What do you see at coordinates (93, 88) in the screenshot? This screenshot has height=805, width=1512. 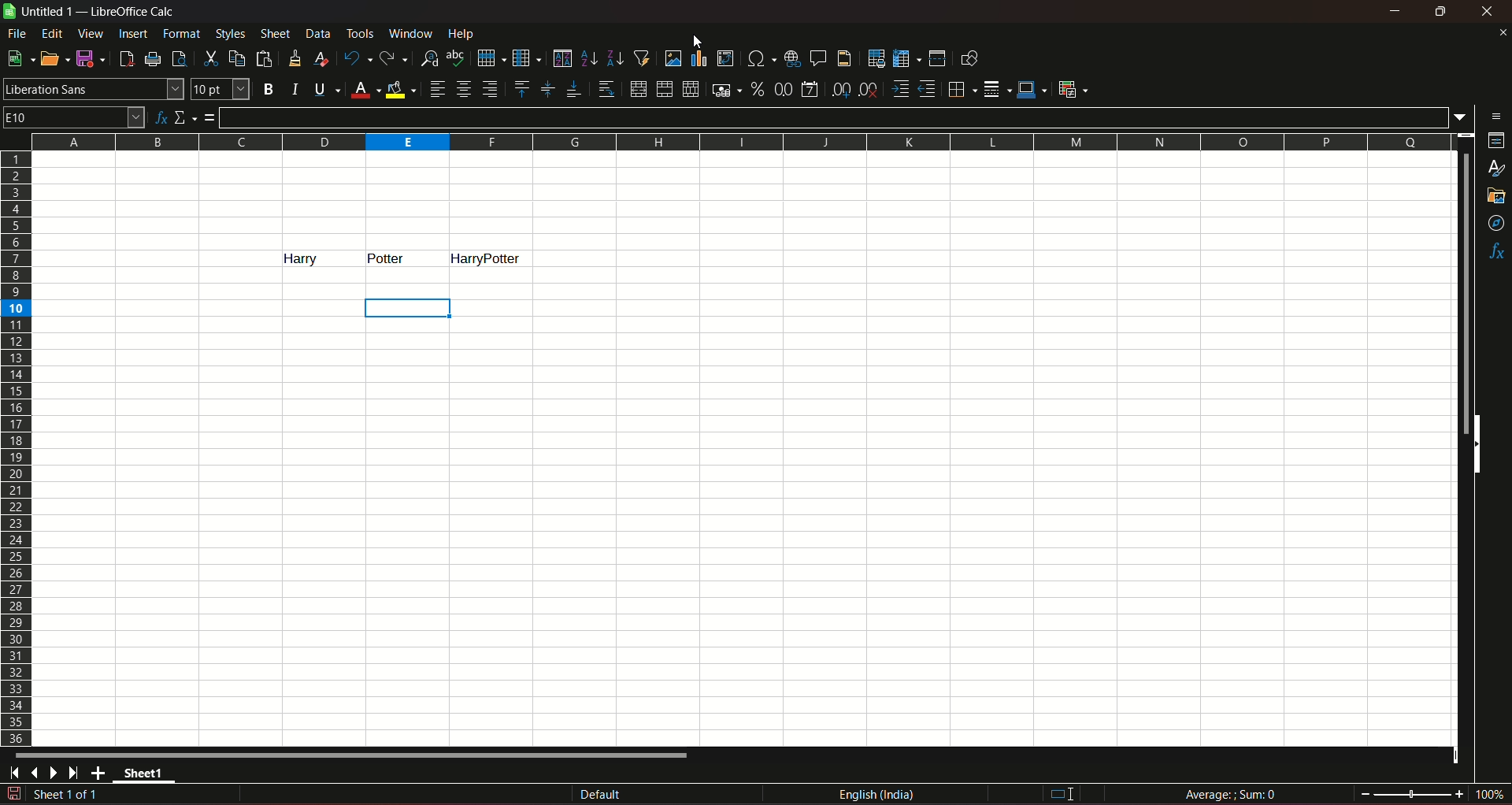 I see `font name` at bounding box center [93, 88].